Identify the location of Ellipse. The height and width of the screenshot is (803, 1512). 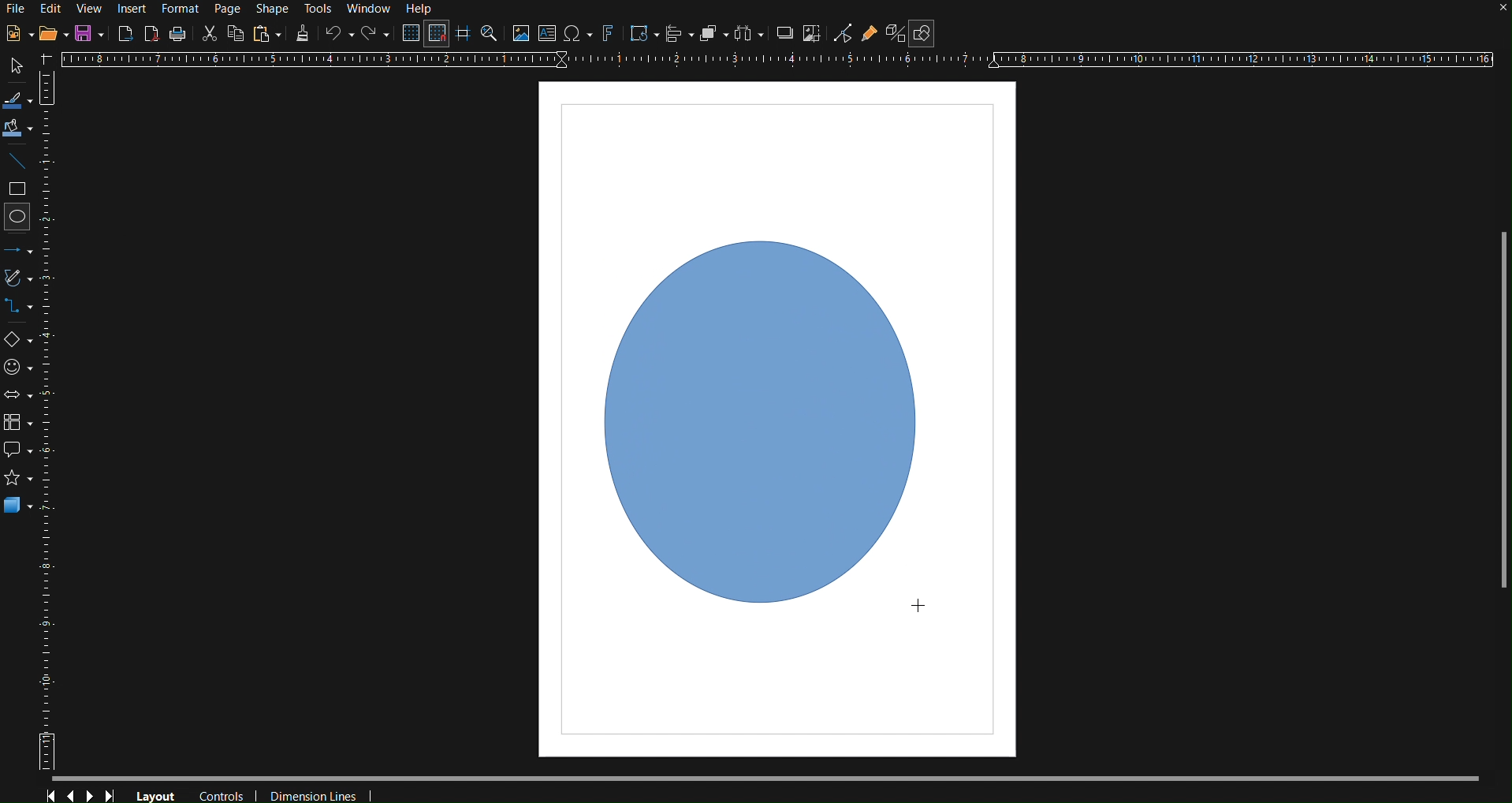
(20, 216).